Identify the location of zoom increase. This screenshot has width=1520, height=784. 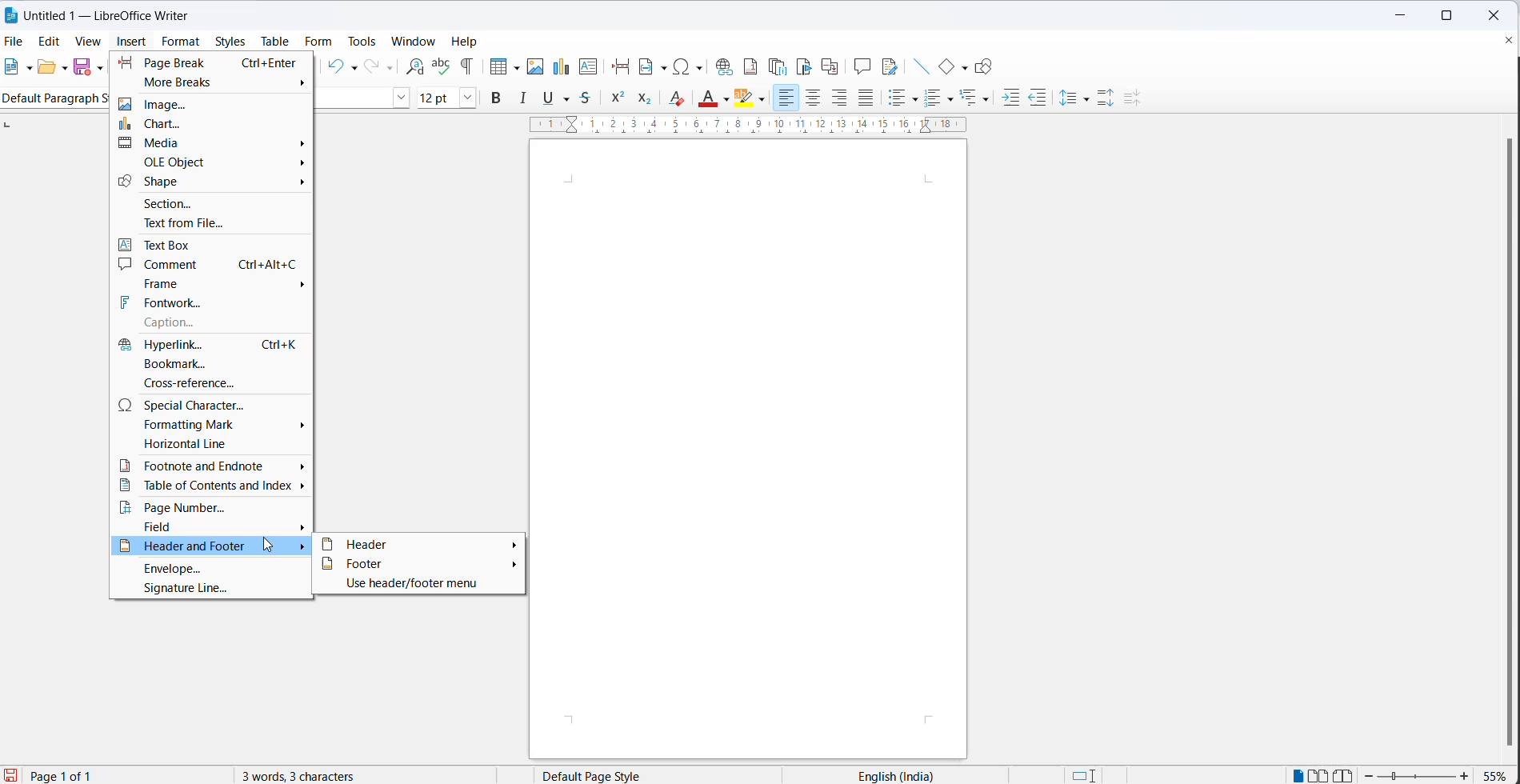
(1467, 775).